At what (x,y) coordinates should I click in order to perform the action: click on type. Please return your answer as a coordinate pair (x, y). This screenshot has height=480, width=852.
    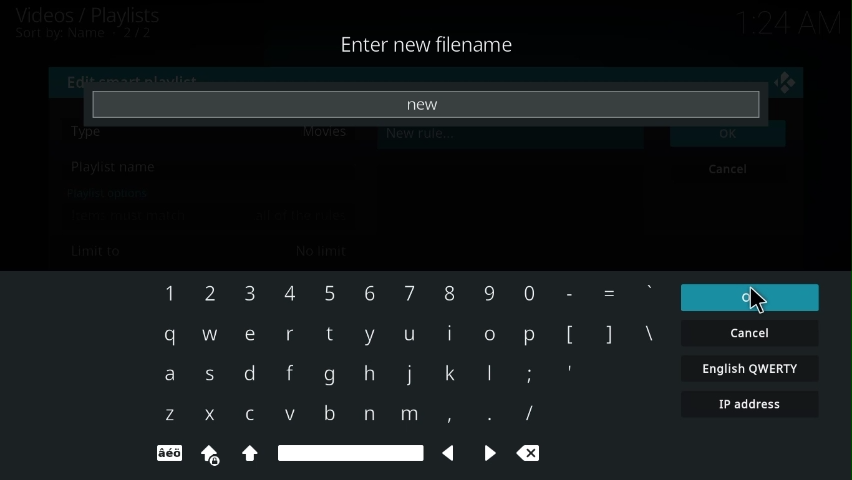
    Looking at the image, I should click on (96, 132).